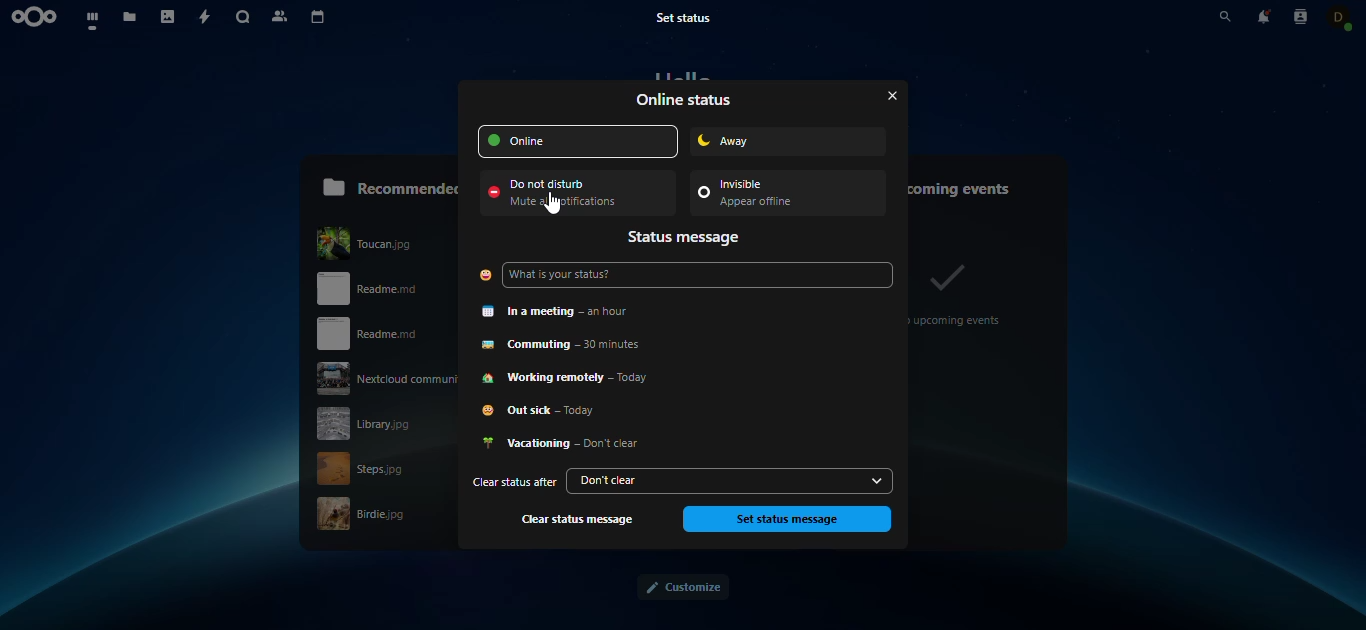 Image resolution: width=1366 pixels, height=630 pixels. I want to click on search, so click(244, 19).